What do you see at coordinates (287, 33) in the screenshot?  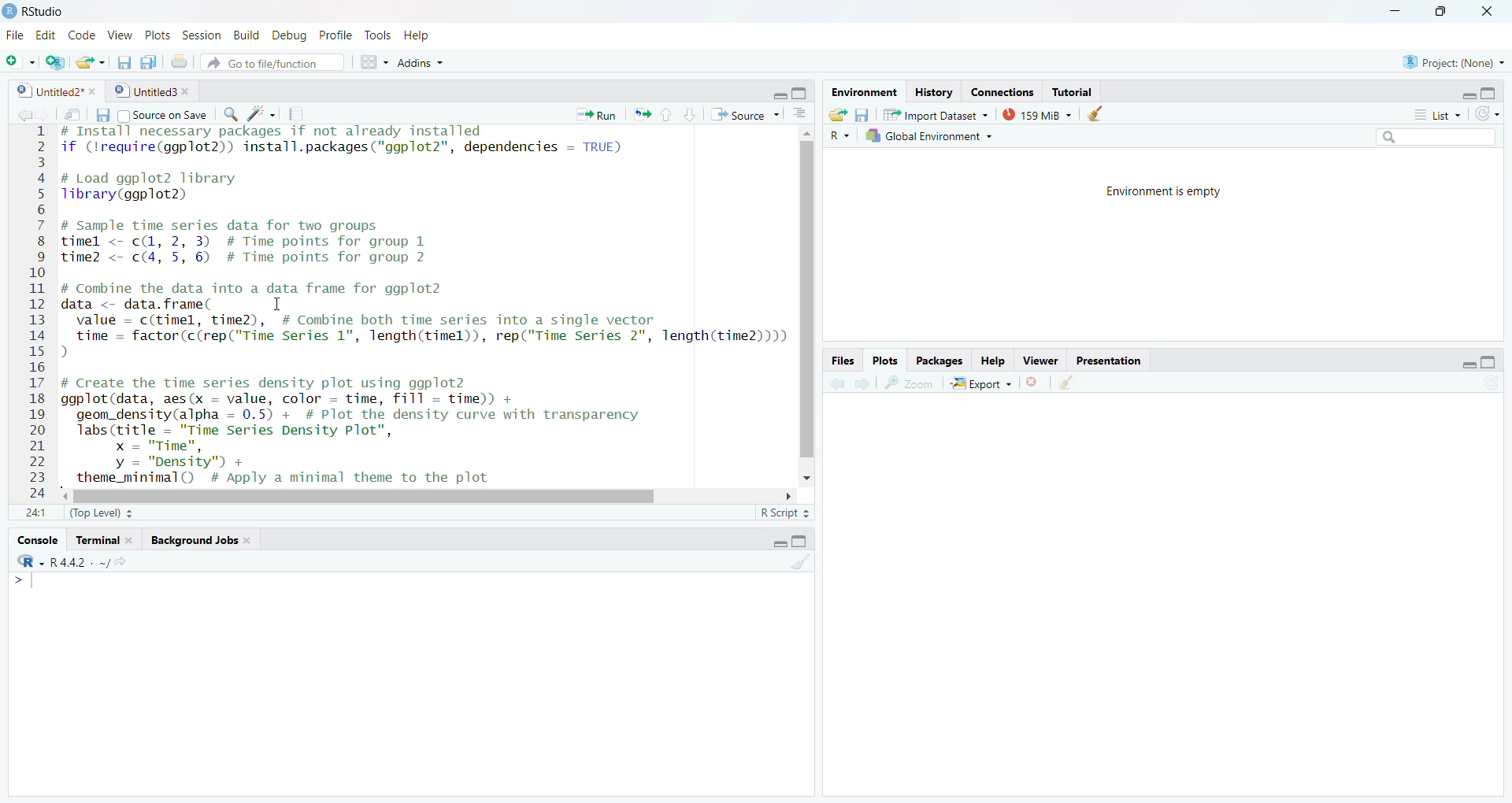 I see `Debug` at bounding box center [287, 33].